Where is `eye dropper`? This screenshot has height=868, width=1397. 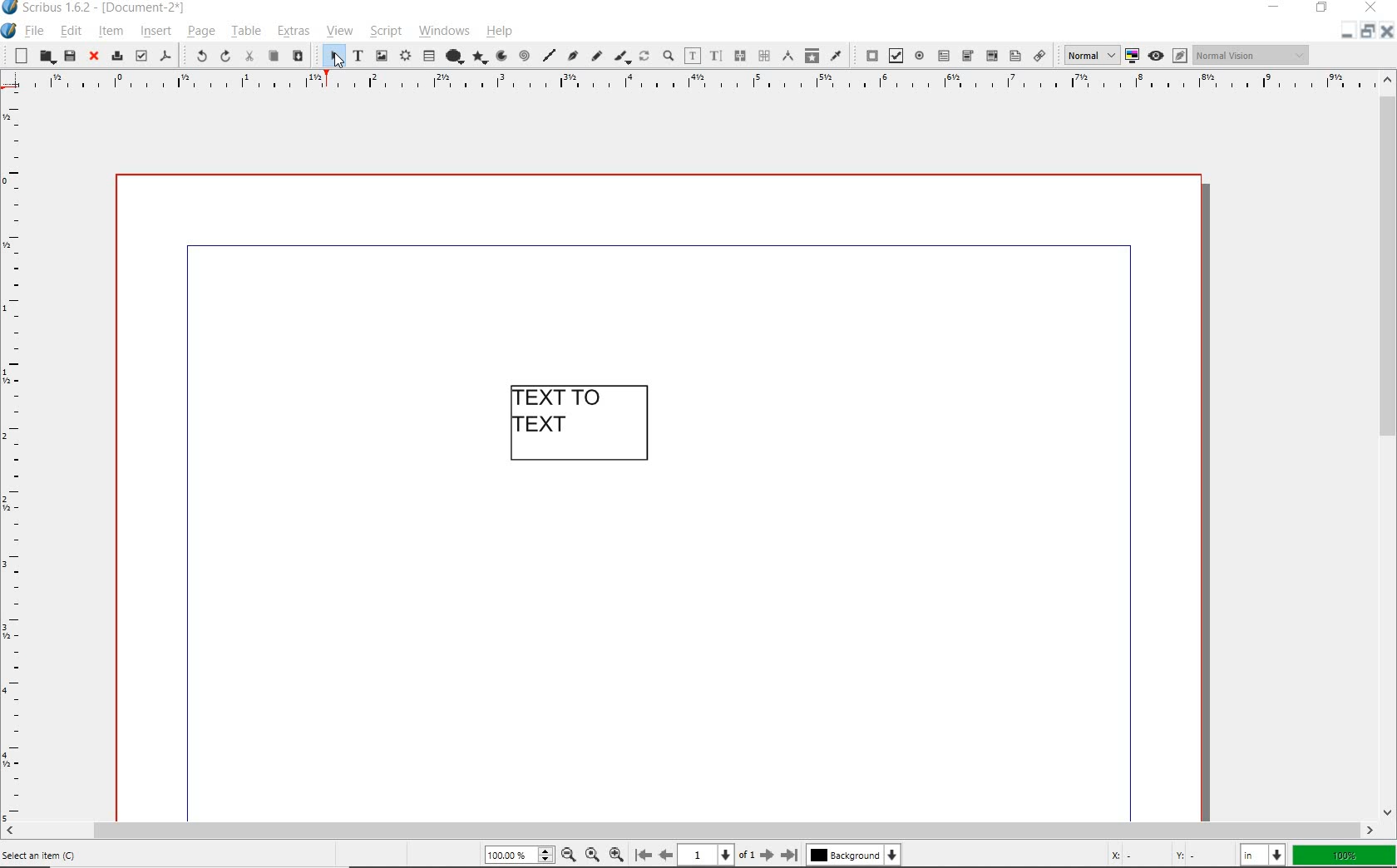 eye dropper is located at coordinates (838, 57).